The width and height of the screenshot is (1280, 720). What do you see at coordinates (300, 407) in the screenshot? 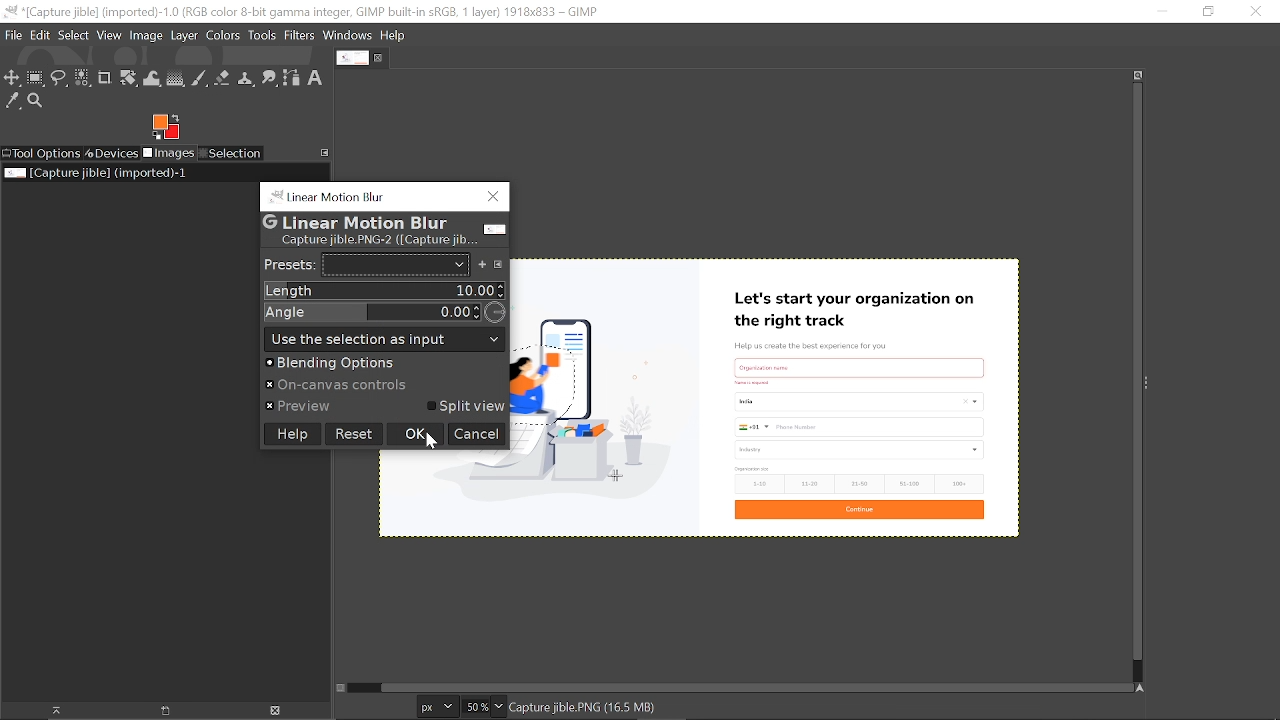
I see `« Preview` at bounding box center [300, 407].